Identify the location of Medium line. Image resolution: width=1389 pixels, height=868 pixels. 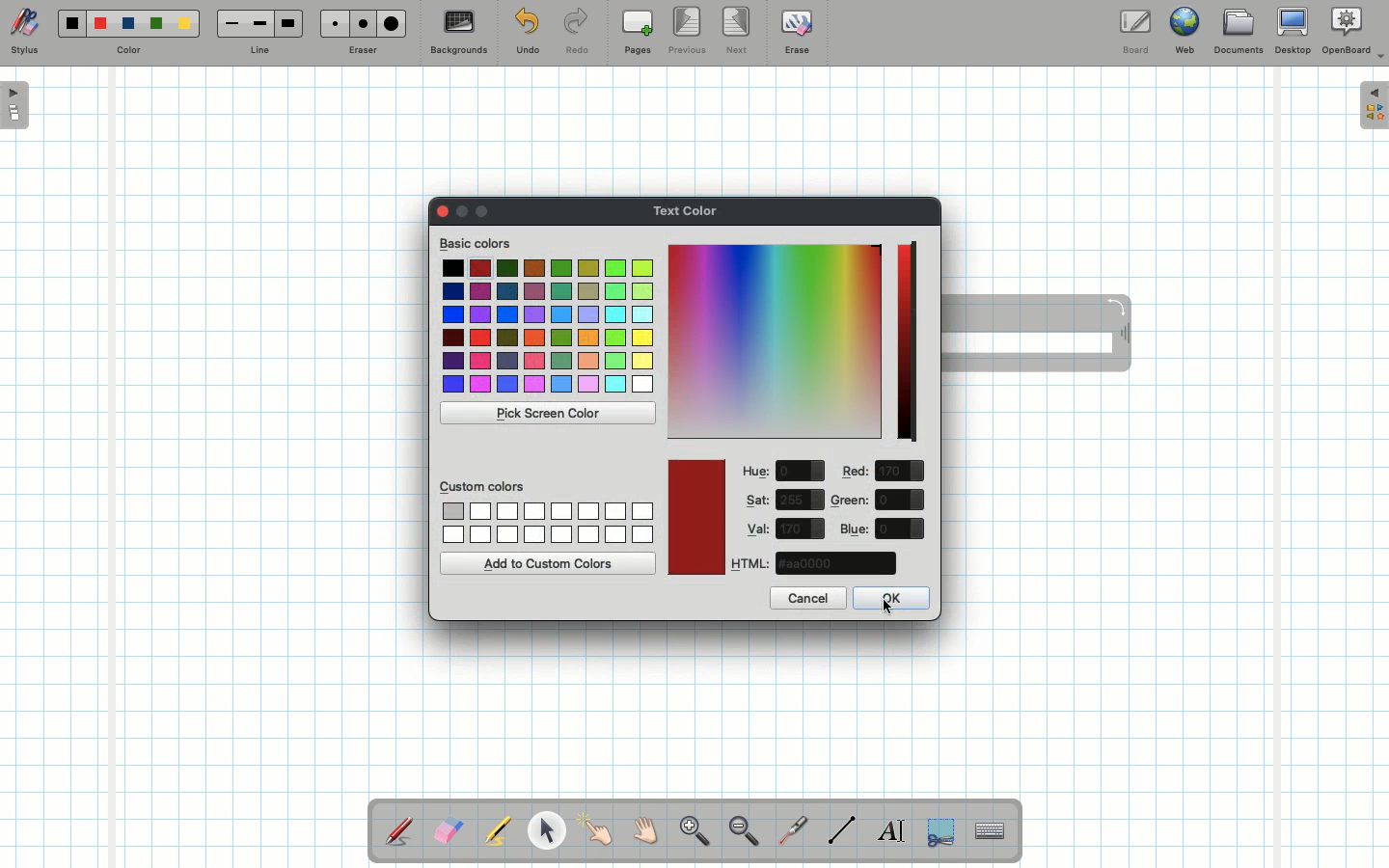
(259, 23).